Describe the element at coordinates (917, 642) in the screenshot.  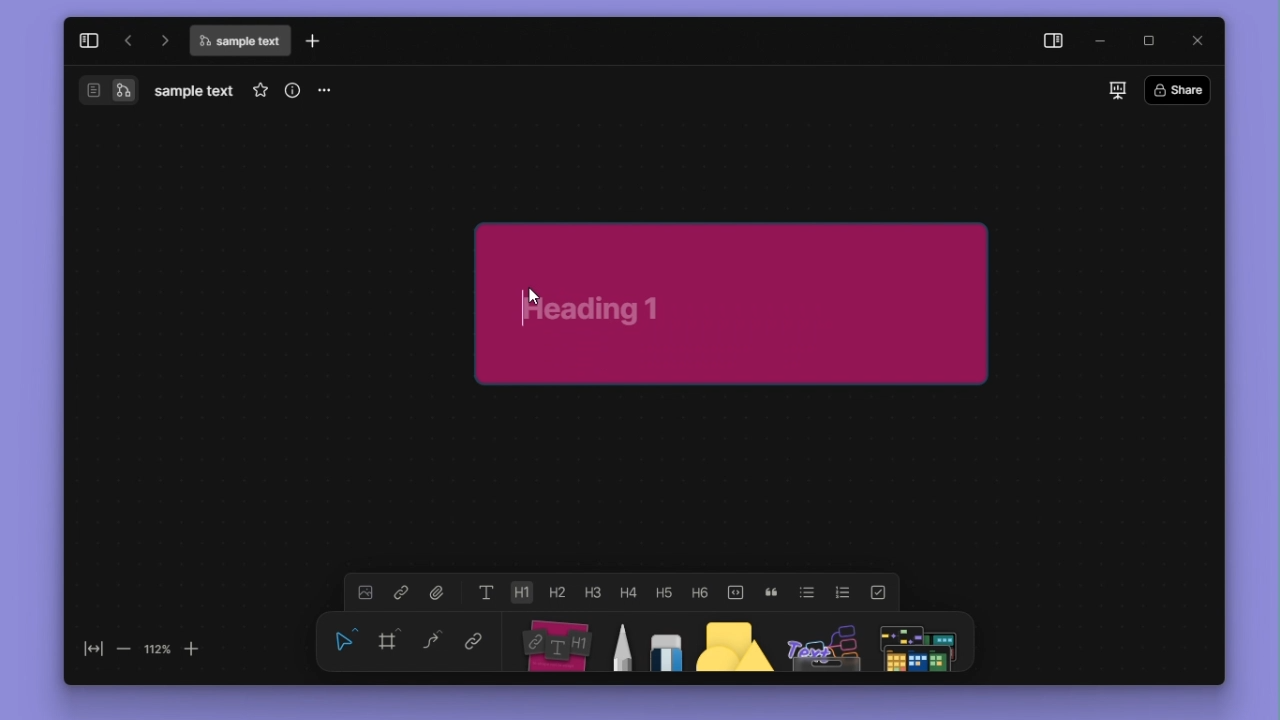
I see `more` at that location.